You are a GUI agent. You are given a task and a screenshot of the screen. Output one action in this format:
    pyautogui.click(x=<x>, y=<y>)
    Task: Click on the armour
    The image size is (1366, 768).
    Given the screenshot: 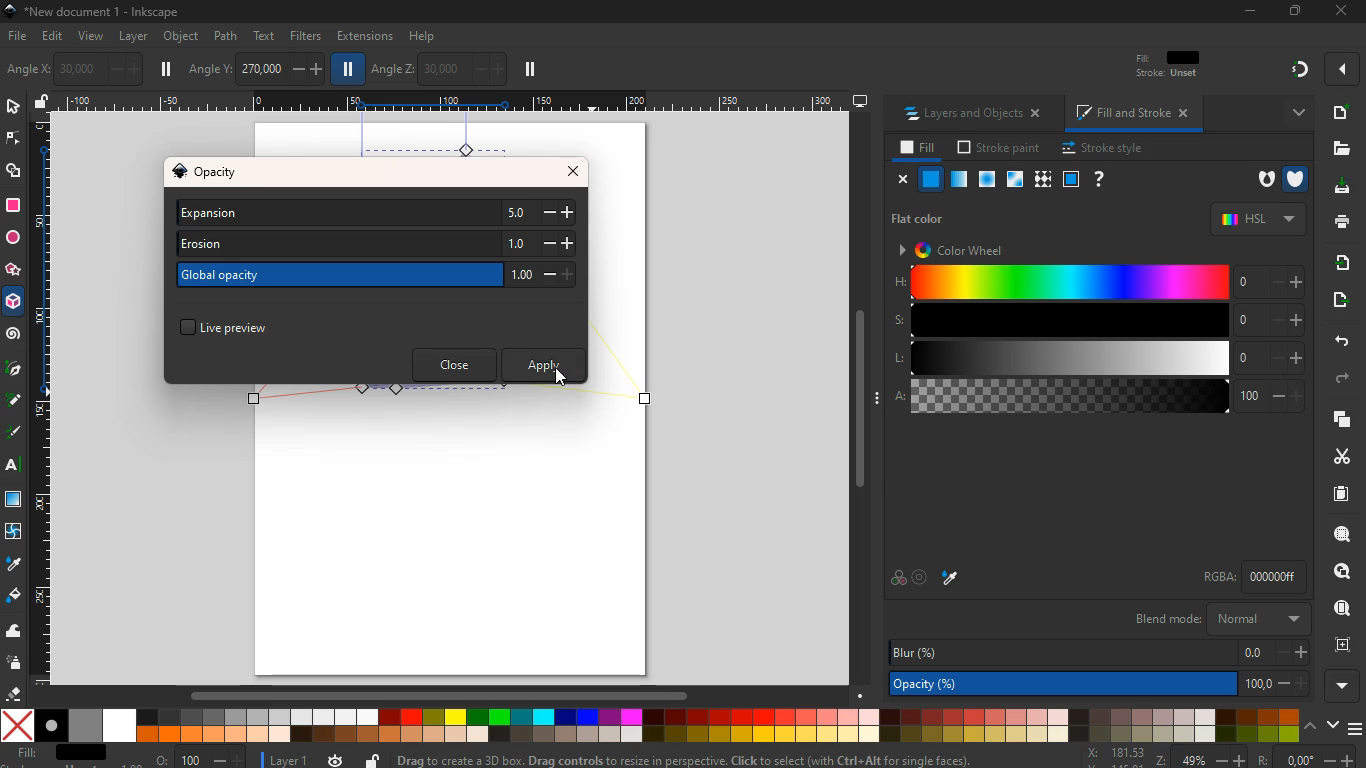 What is the action you would take?
    pyautogui.click(x=1295, y=178)
    